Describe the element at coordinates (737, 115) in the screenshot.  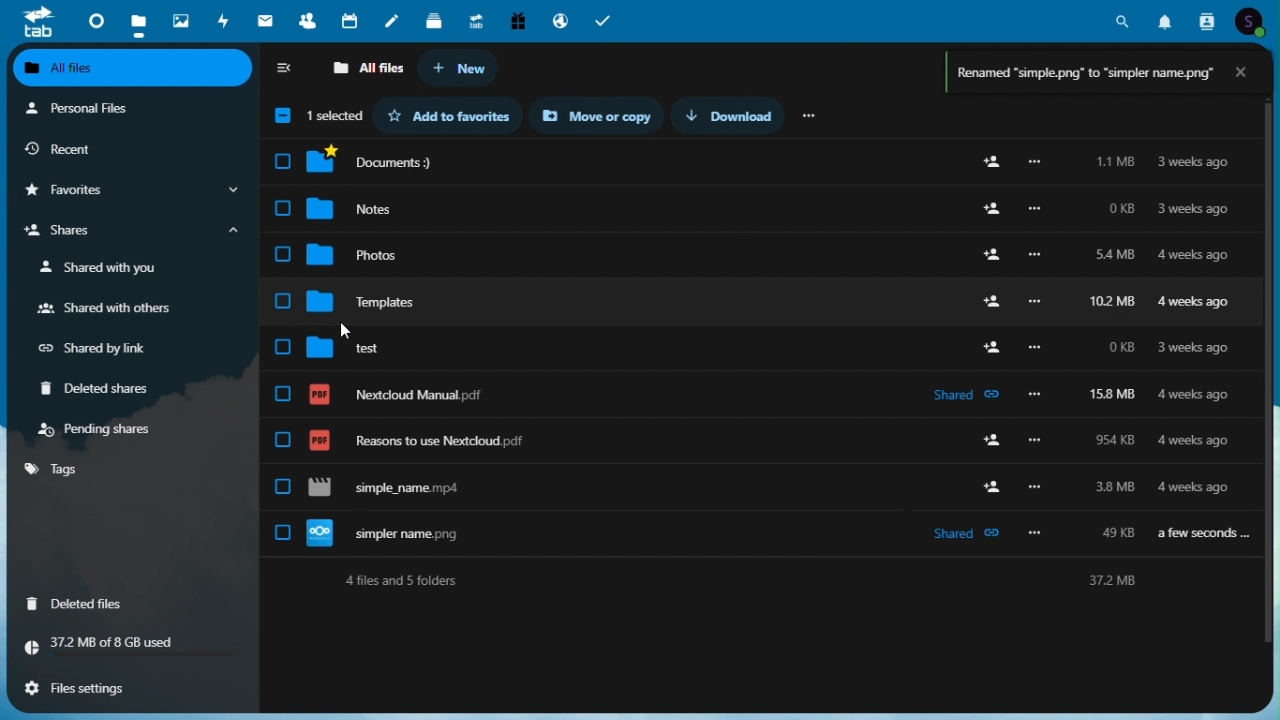
I see `Download` at that location.